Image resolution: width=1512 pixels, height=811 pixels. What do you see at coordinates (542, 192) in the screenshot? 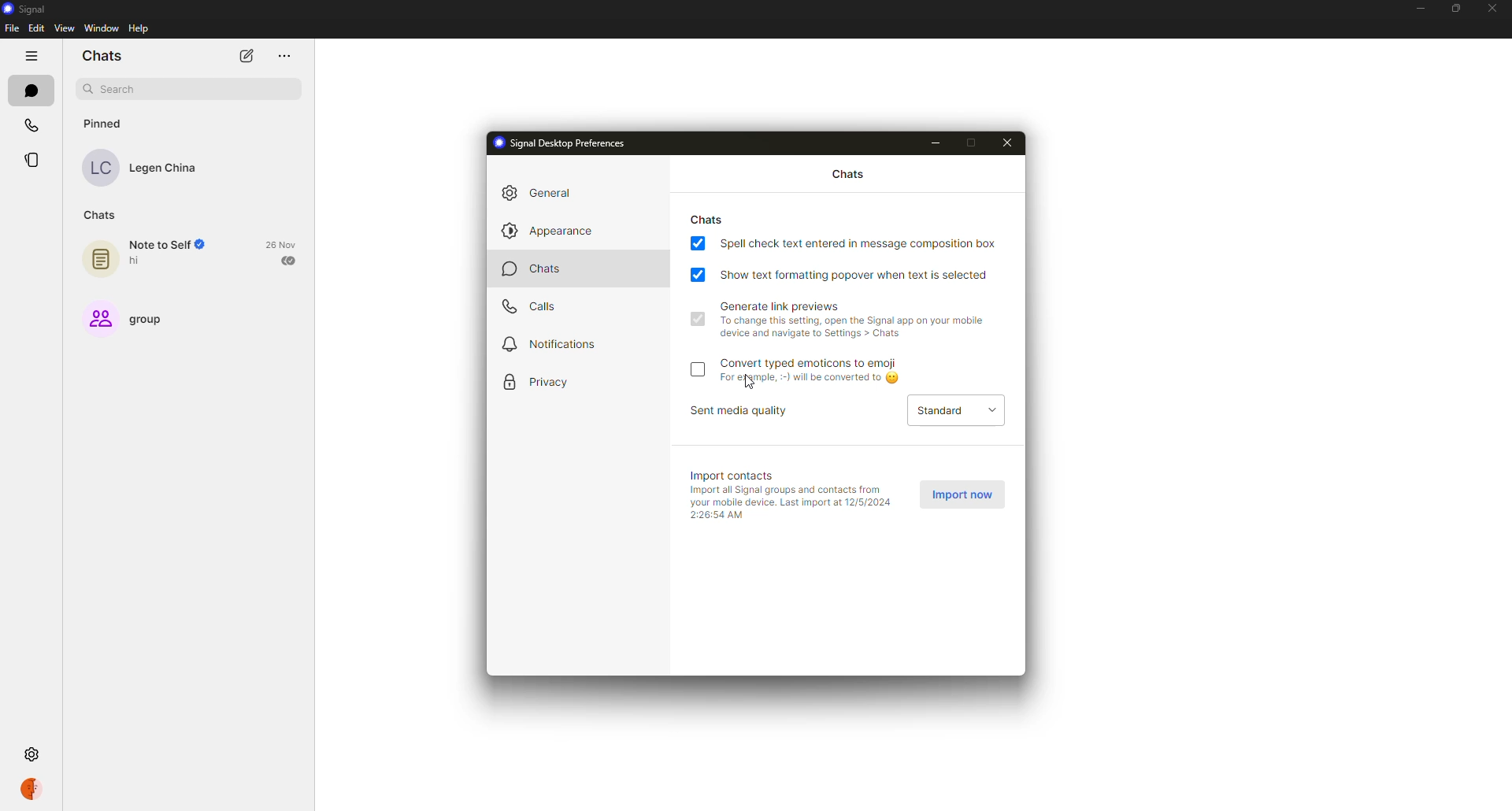
I see `general` at bounding box center [542, 192].